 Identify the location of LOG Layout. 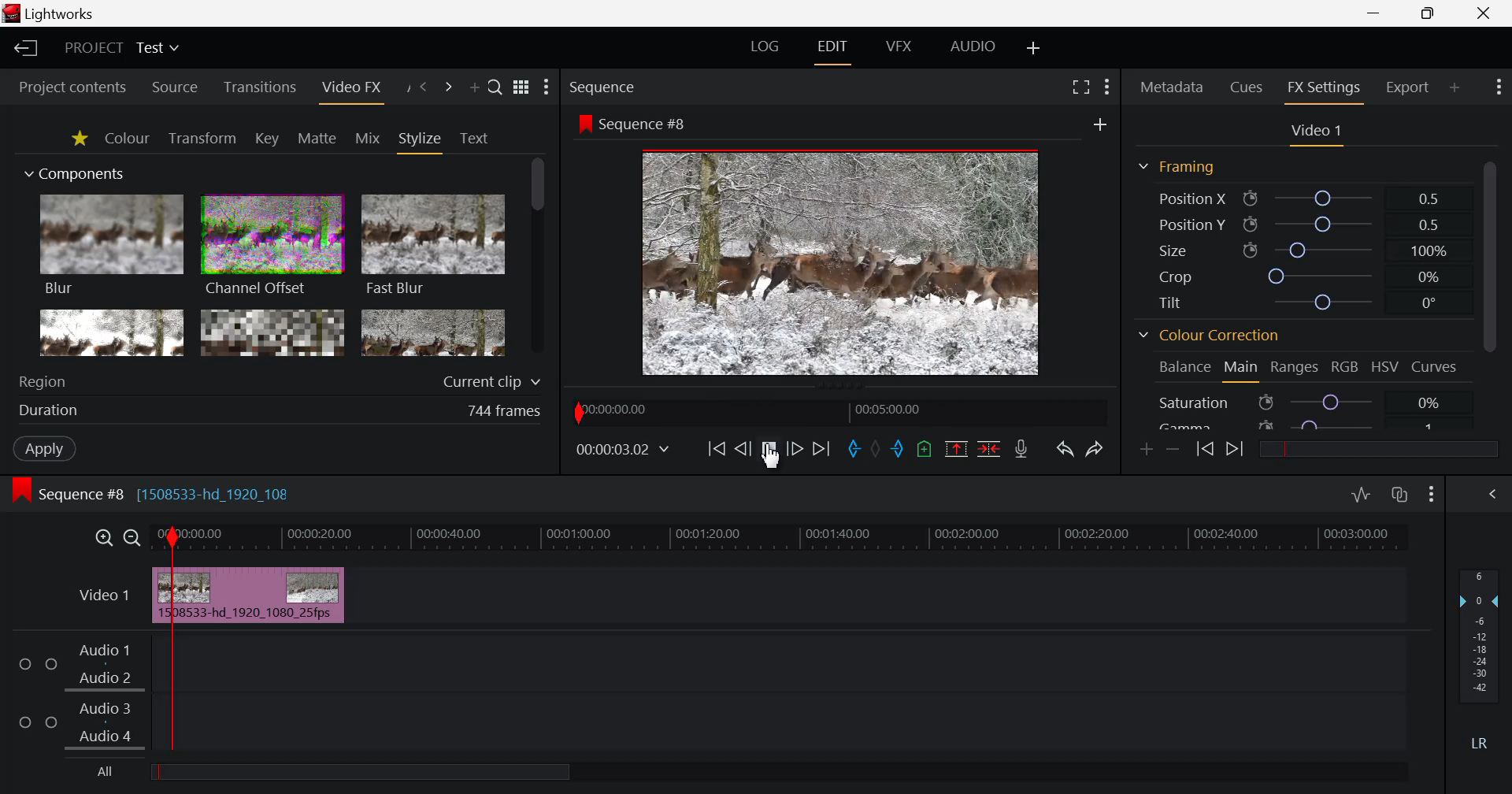
(765, 47).